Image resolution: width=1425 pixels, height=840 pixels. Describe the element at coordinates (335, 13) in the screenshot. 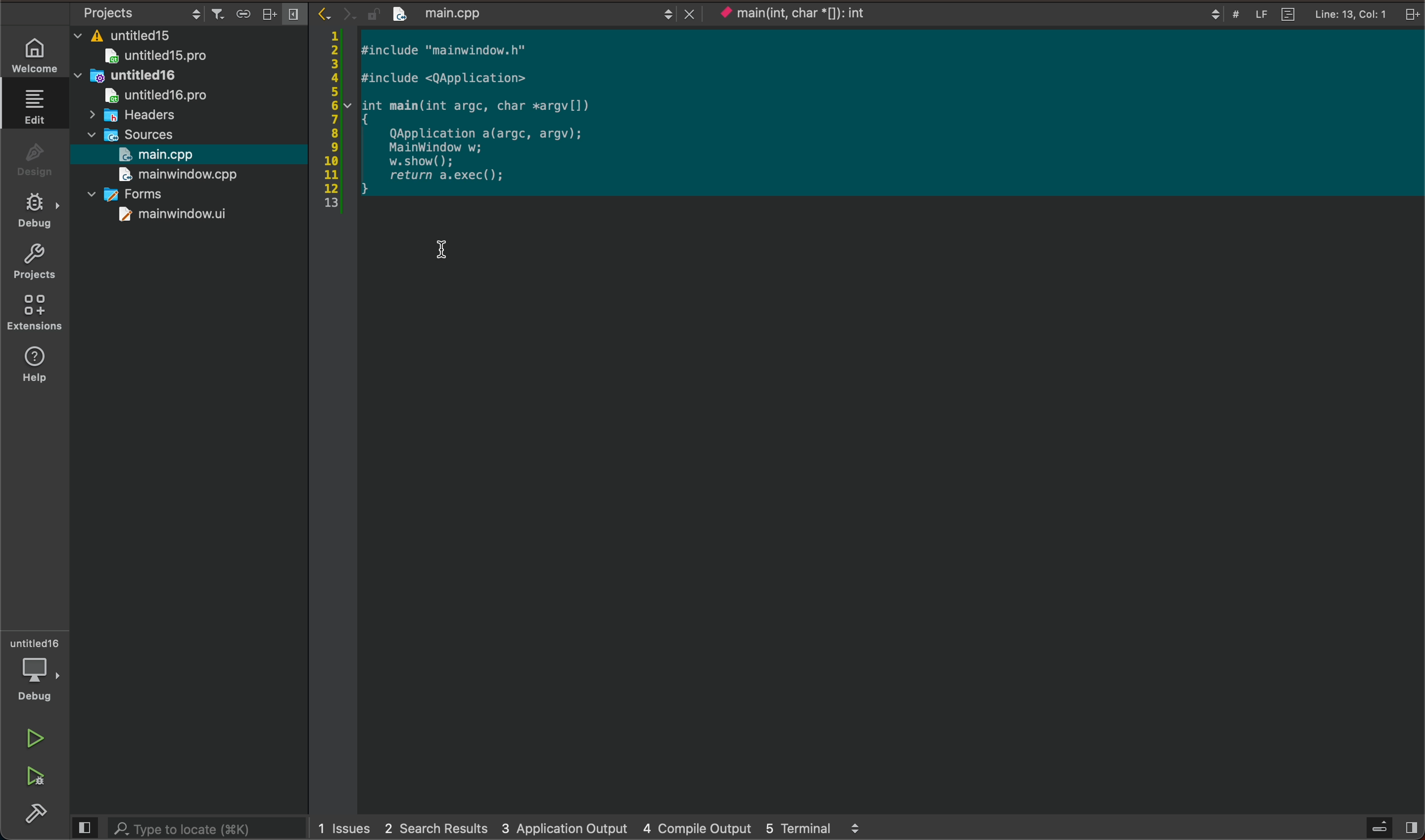

I see `arrow icons` at that location.